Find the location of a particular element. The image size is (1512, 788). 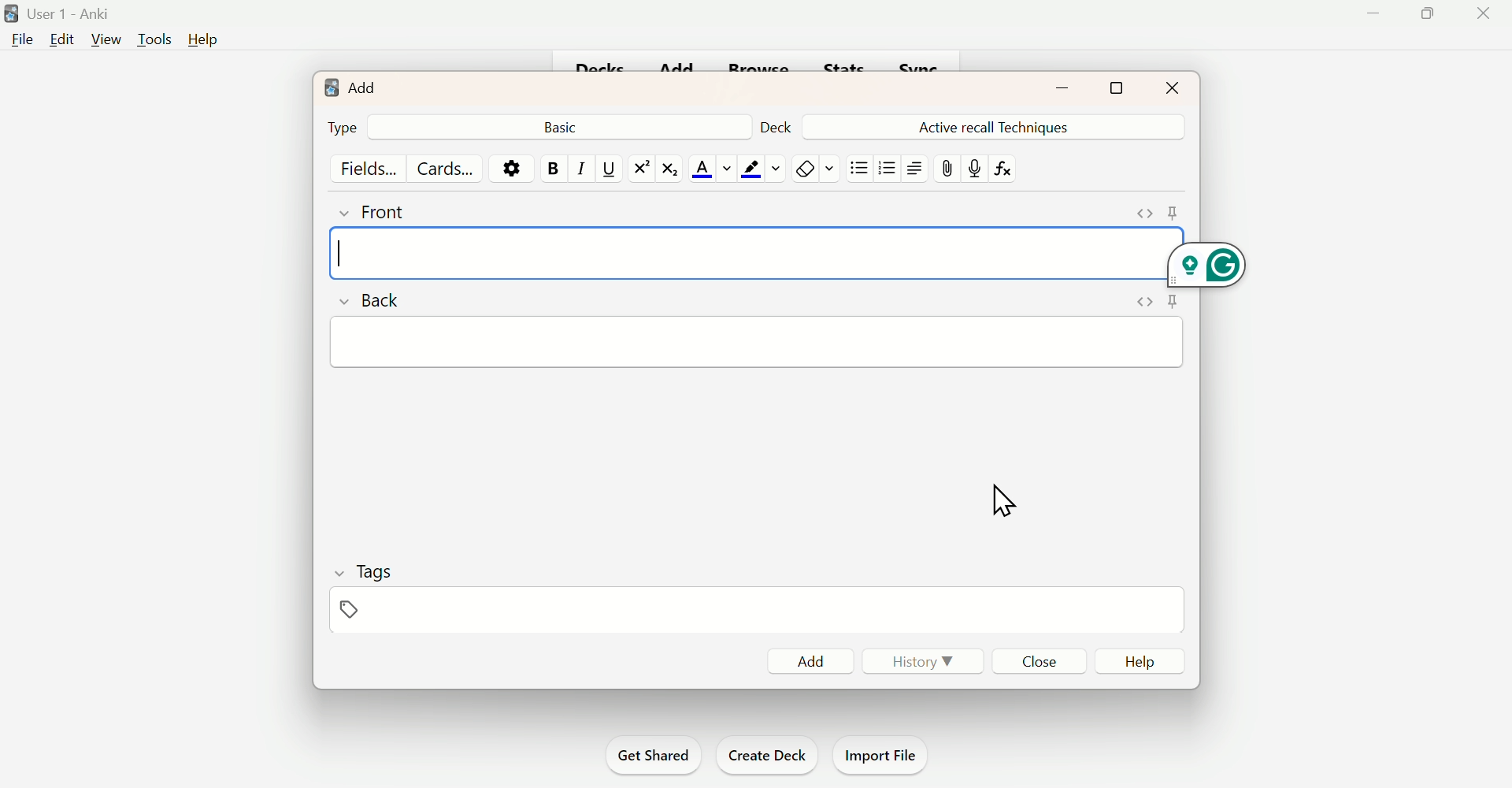

Bold is located at coordinates (553, 165).